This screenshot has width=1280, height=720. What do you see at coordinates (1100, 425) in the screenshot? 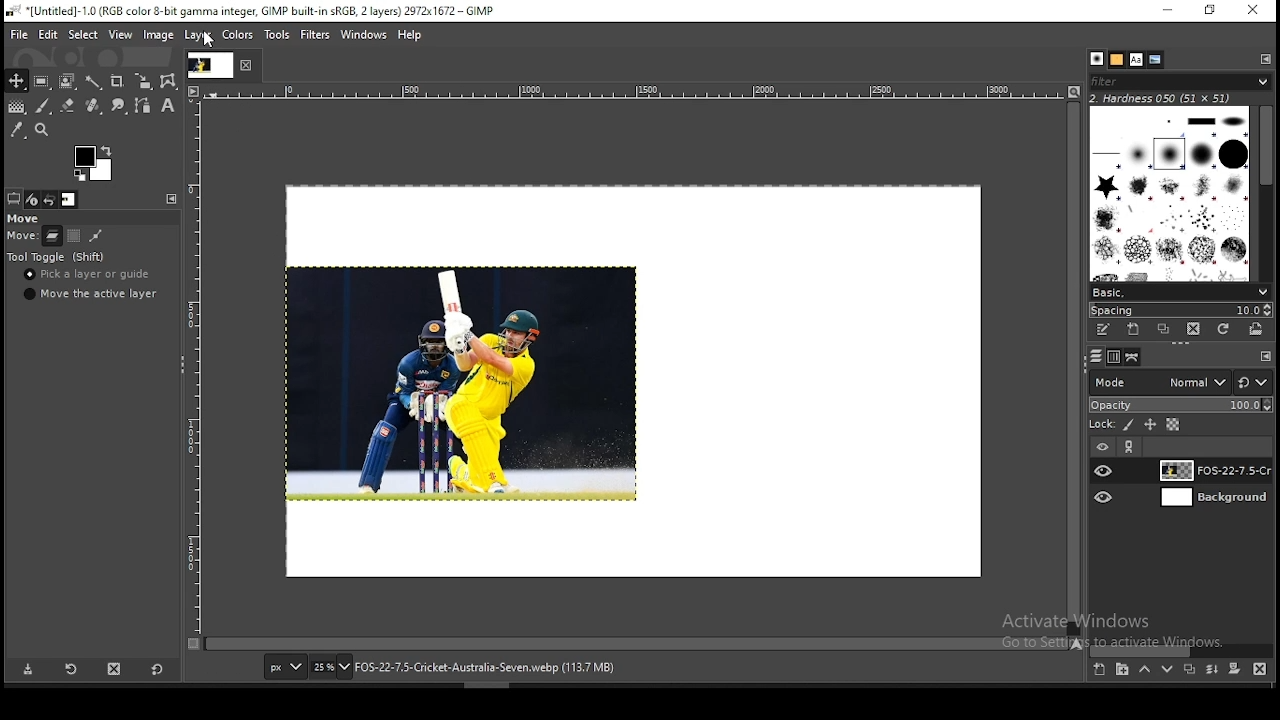
I see `lock` at bounding box center [1100, 425].